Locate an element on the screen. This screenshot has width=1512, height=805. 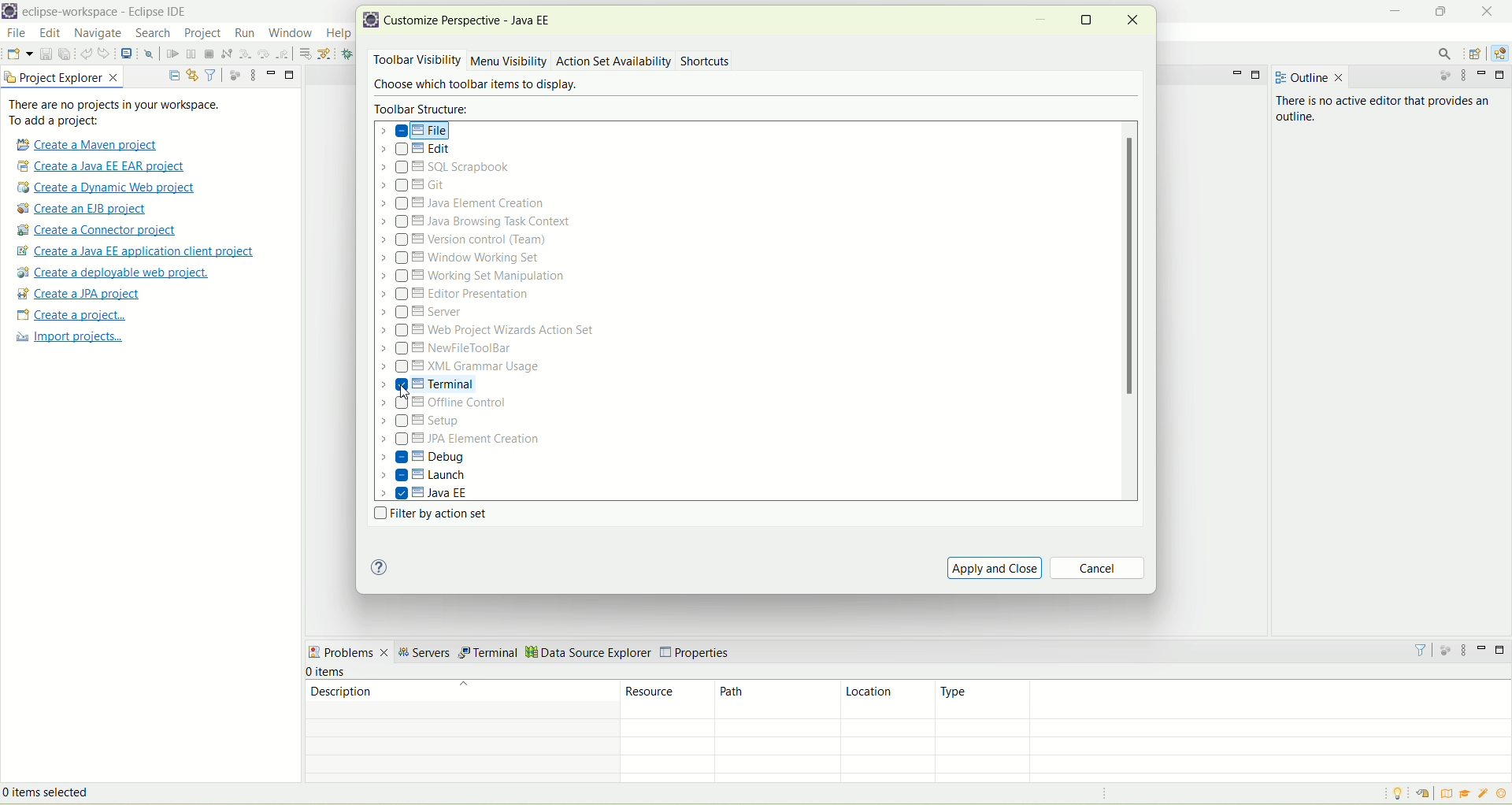
web project is located at coordinates (490, 331).